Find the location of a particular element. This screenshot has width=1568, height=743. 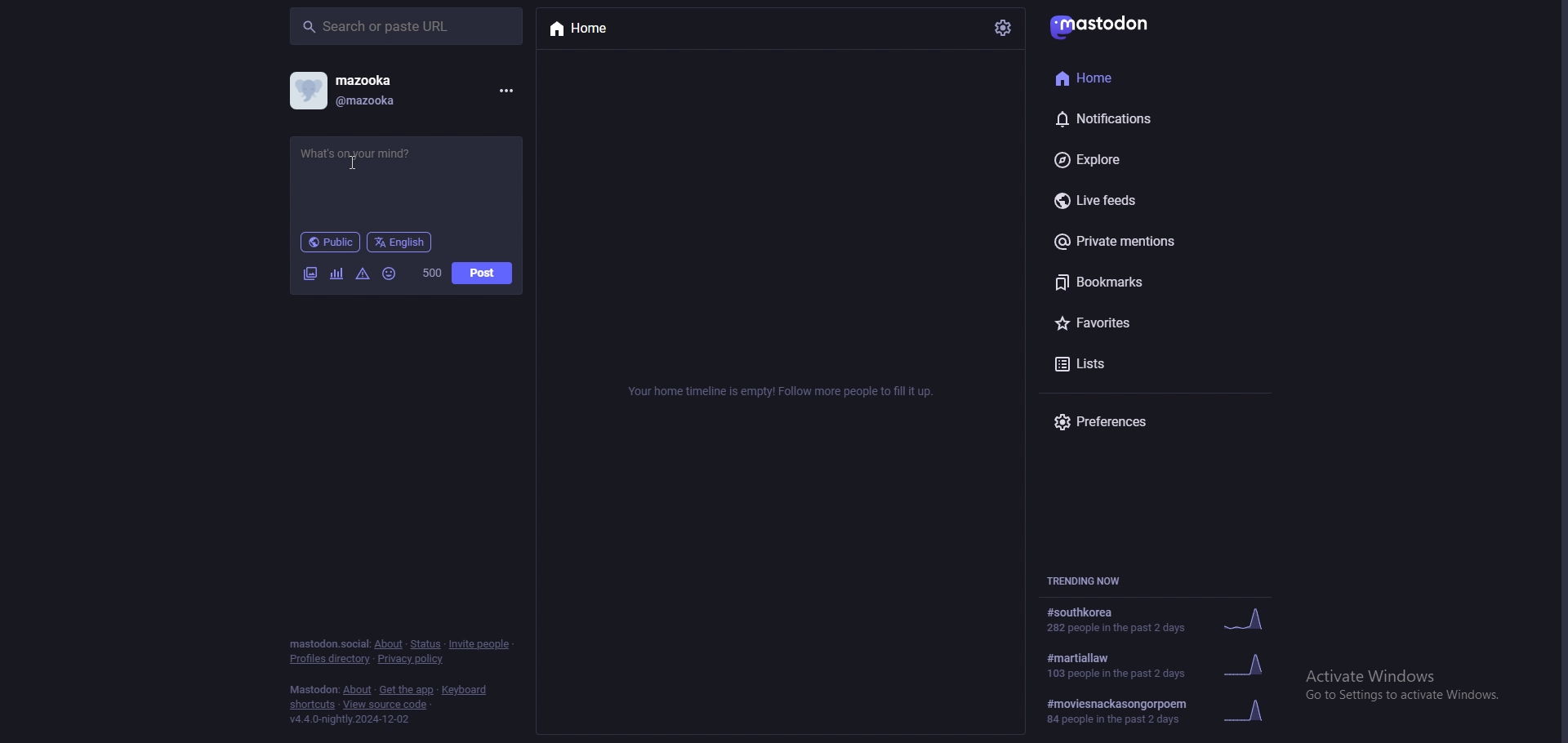

language is located at coordinates (399, 242).